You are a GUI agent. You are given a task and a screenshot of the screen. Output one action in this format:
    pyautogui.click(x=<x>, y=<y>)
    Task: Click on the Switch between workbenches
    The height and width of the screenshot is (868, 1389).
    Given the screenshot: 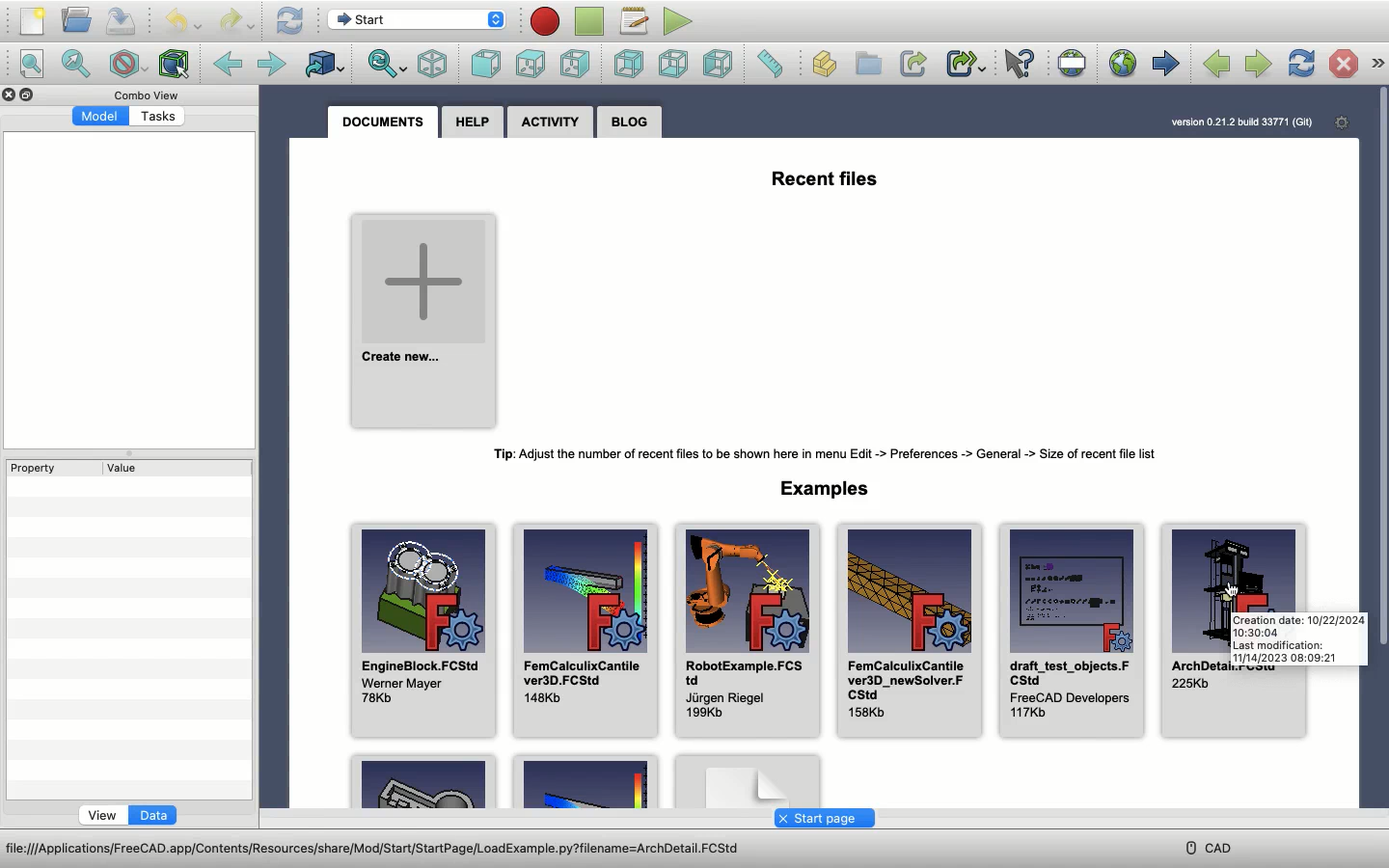 What is the action you would take?
    pyautogui.click(x=418, y=18)
    